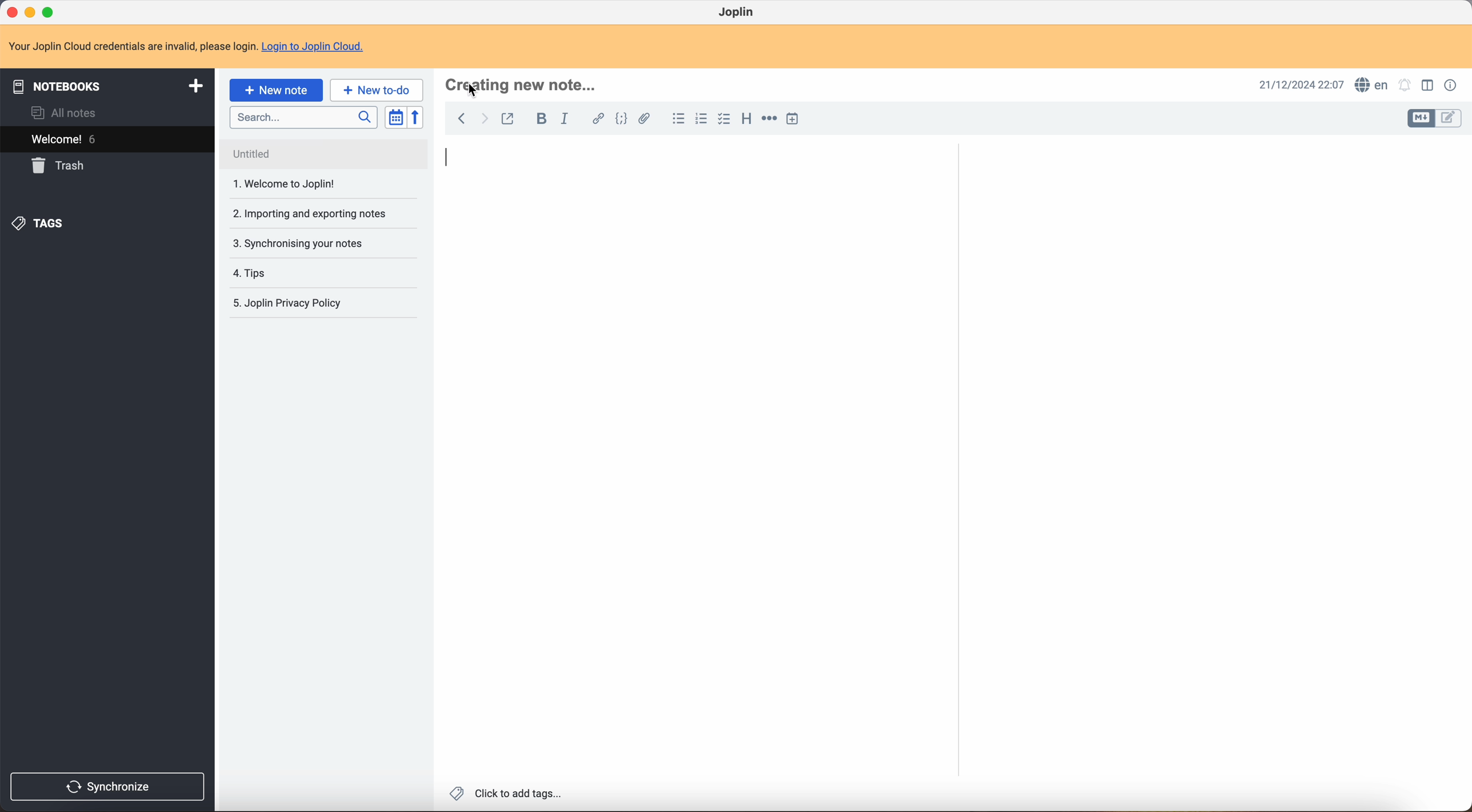  Describe the element at coordinates (11, 13) in the screenshot. I see `close program` at that location.